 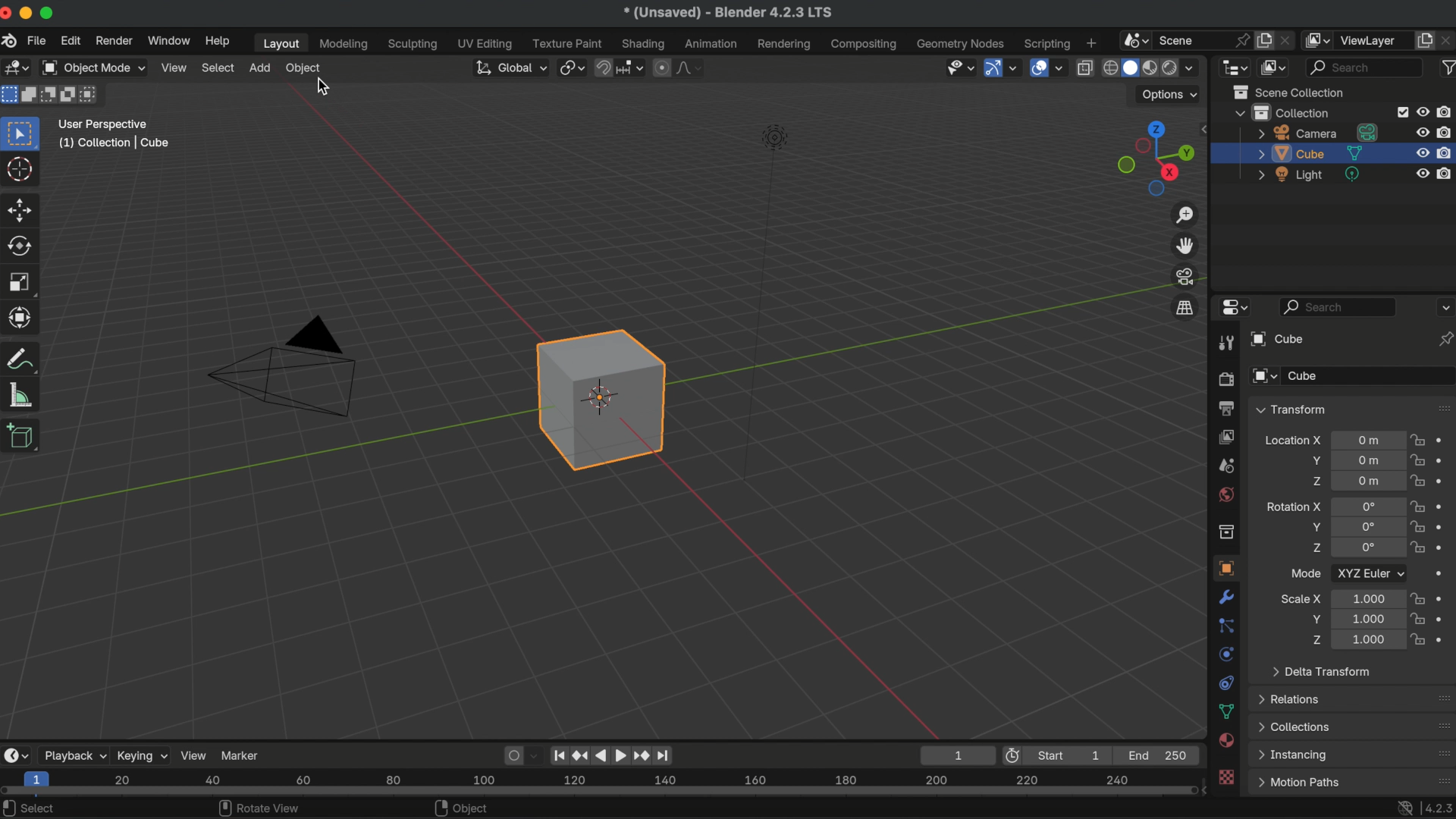 I want to click on display filter, so click(x=1365, y=67).